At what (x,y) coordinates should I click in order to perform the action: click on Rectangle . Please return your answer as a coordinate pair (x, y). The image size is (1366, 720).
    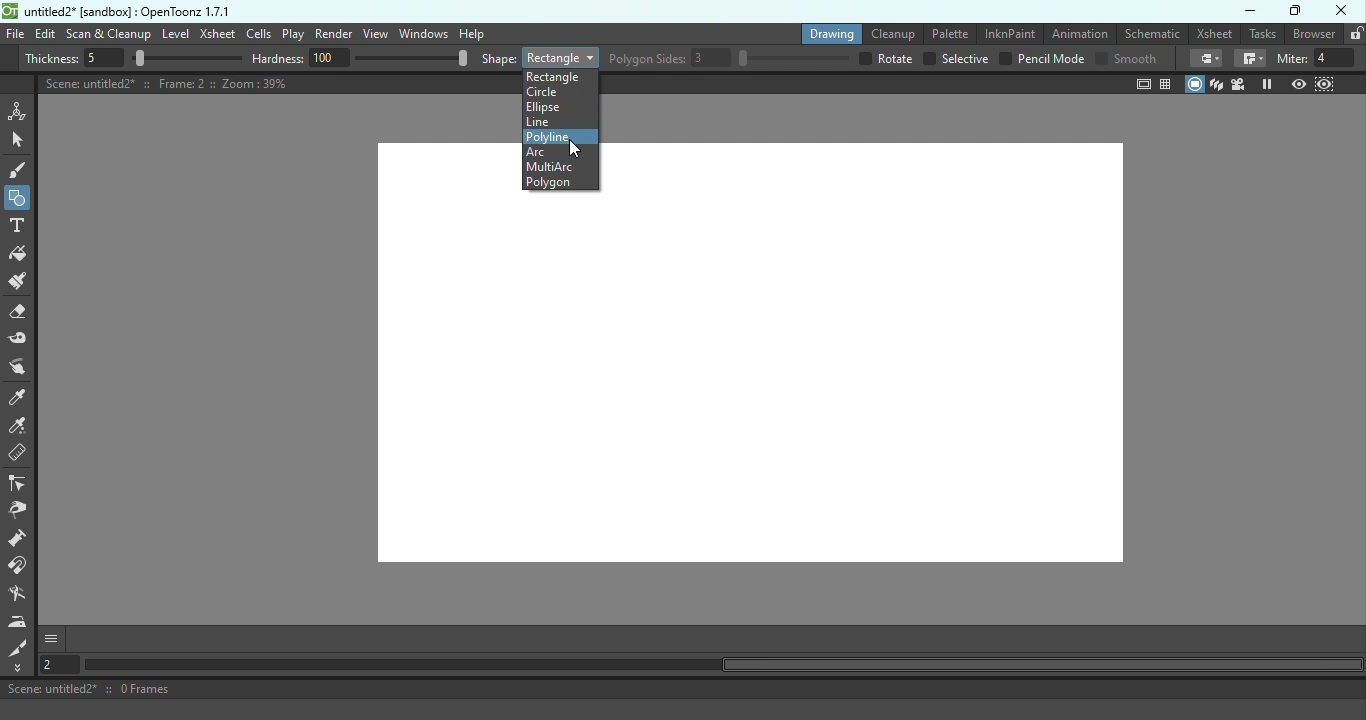
    Looking at the image, I should click on (556, 77).